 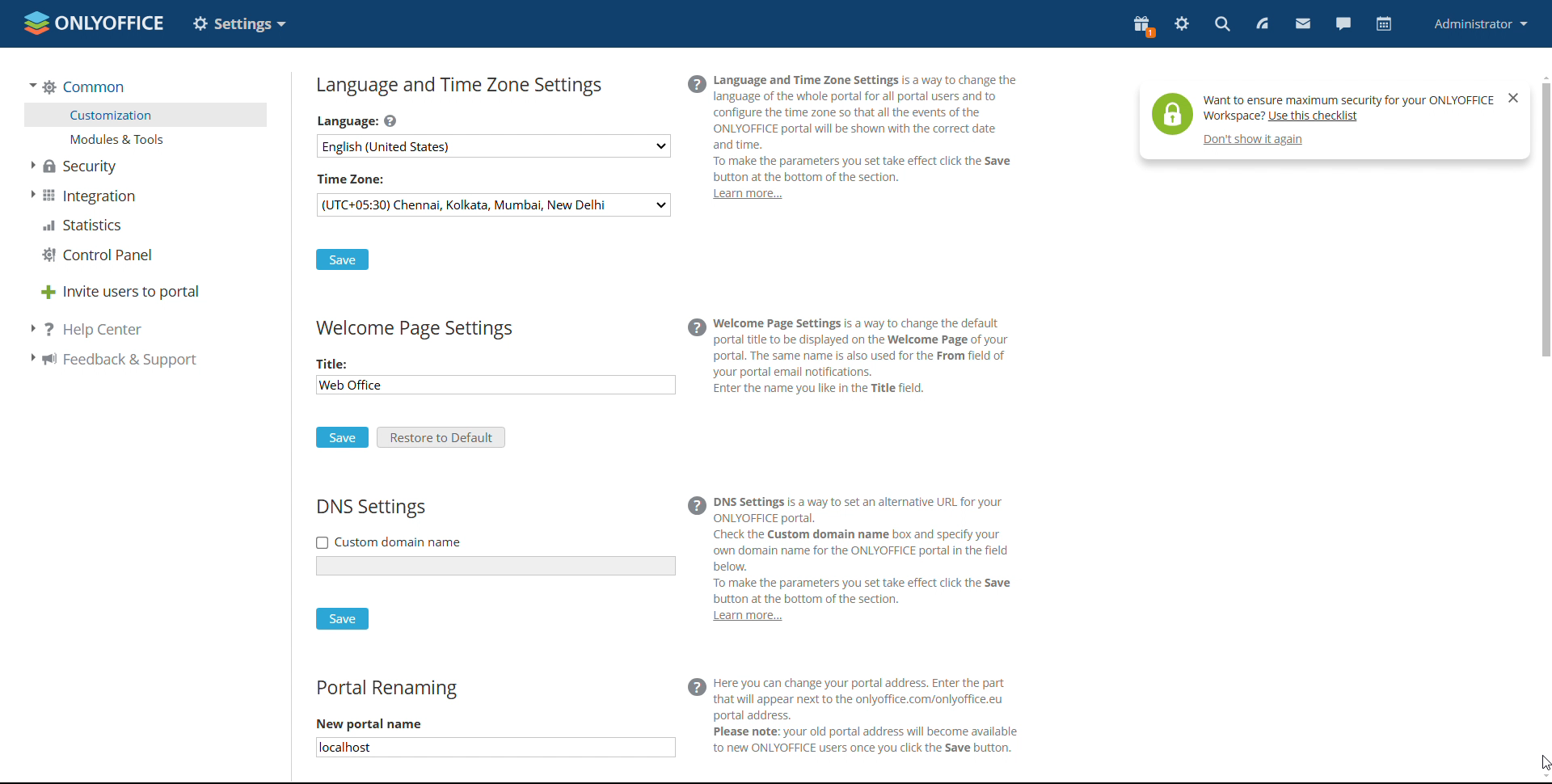 I want to click on feed, so click(x=1261, y=24).